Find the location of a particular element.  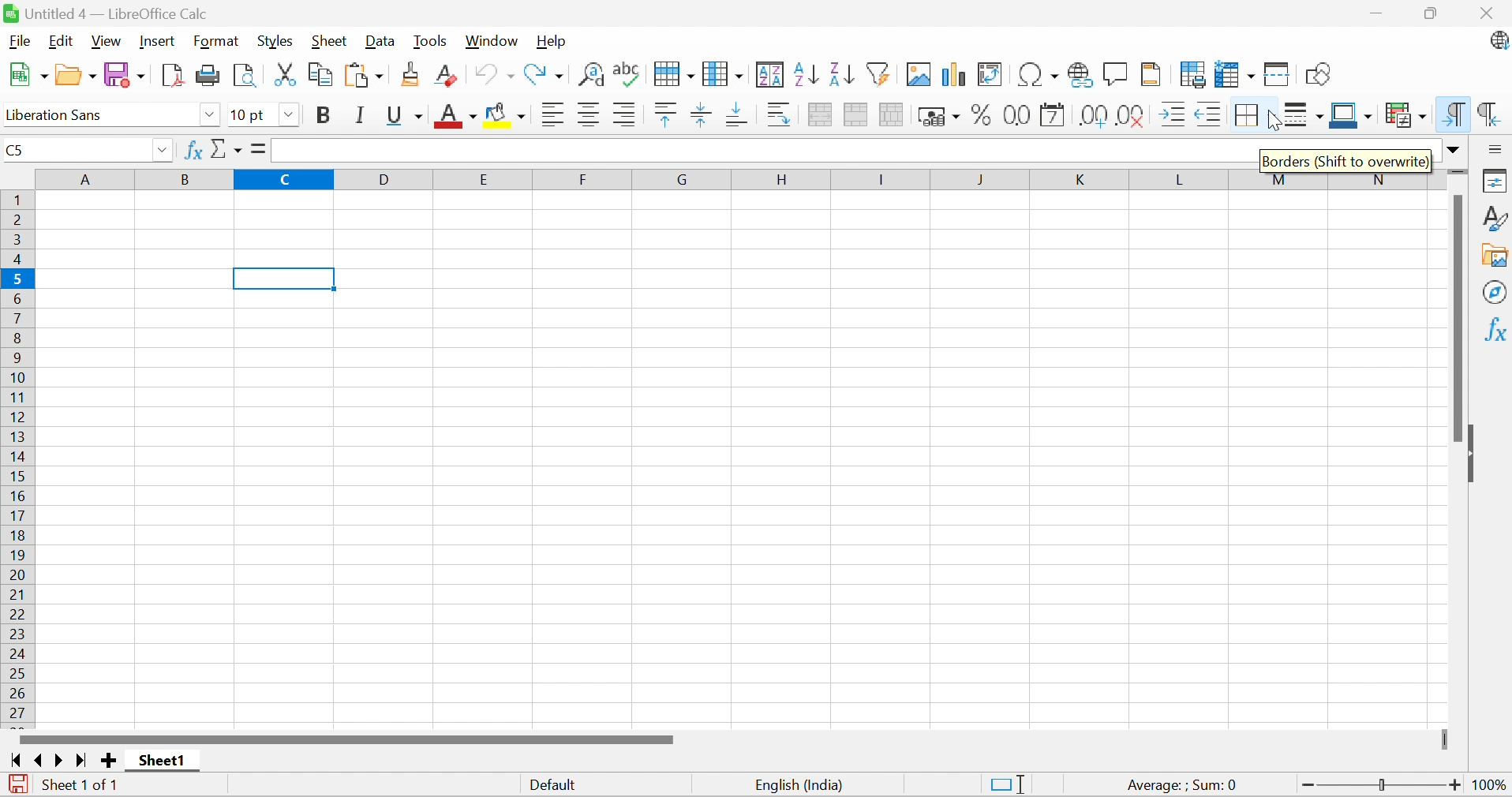

Align center is located at coordinates (592, 115).